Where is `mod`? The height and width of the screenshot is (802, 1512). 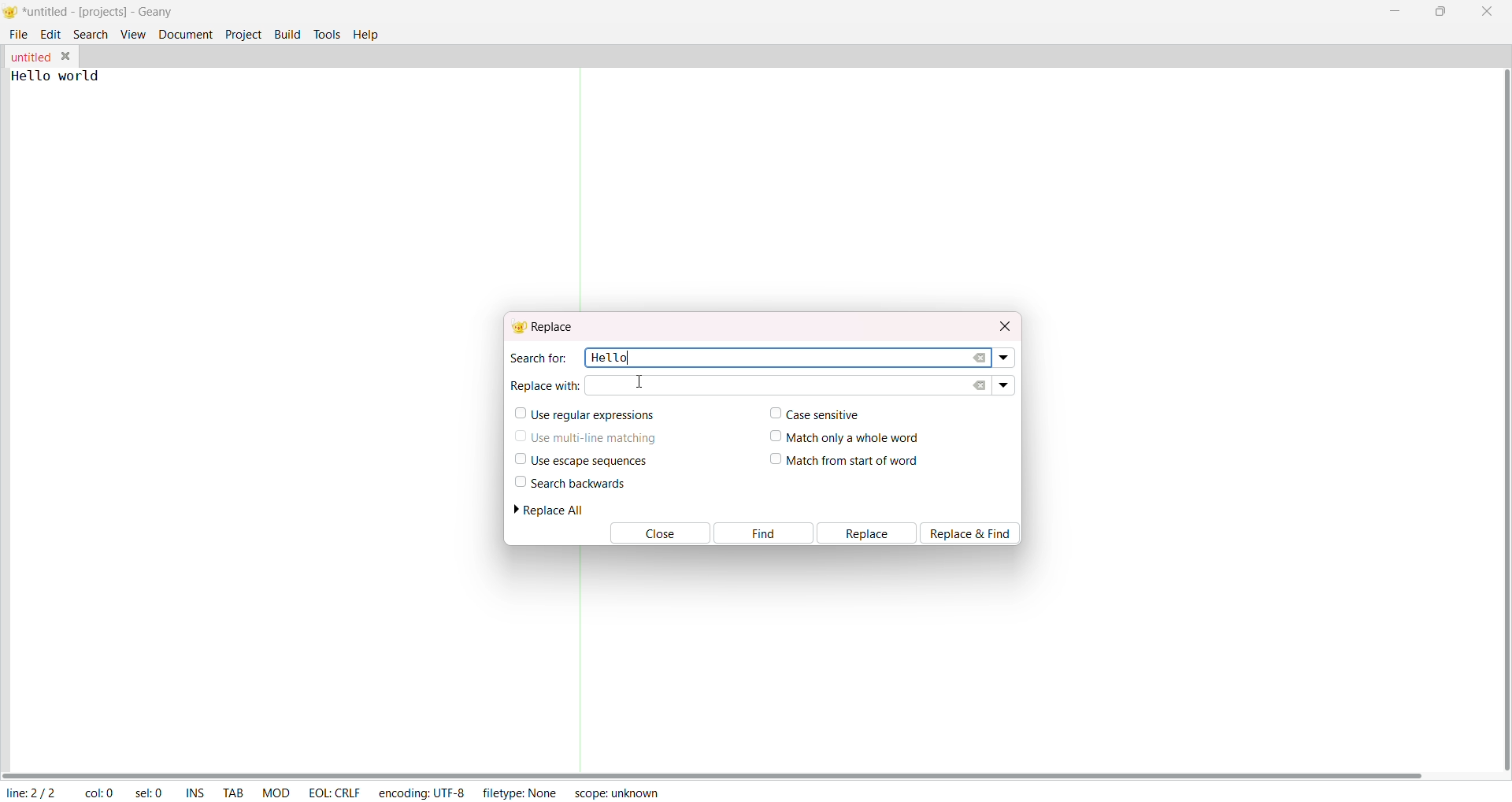
mod is located at coordinates (276, 792).